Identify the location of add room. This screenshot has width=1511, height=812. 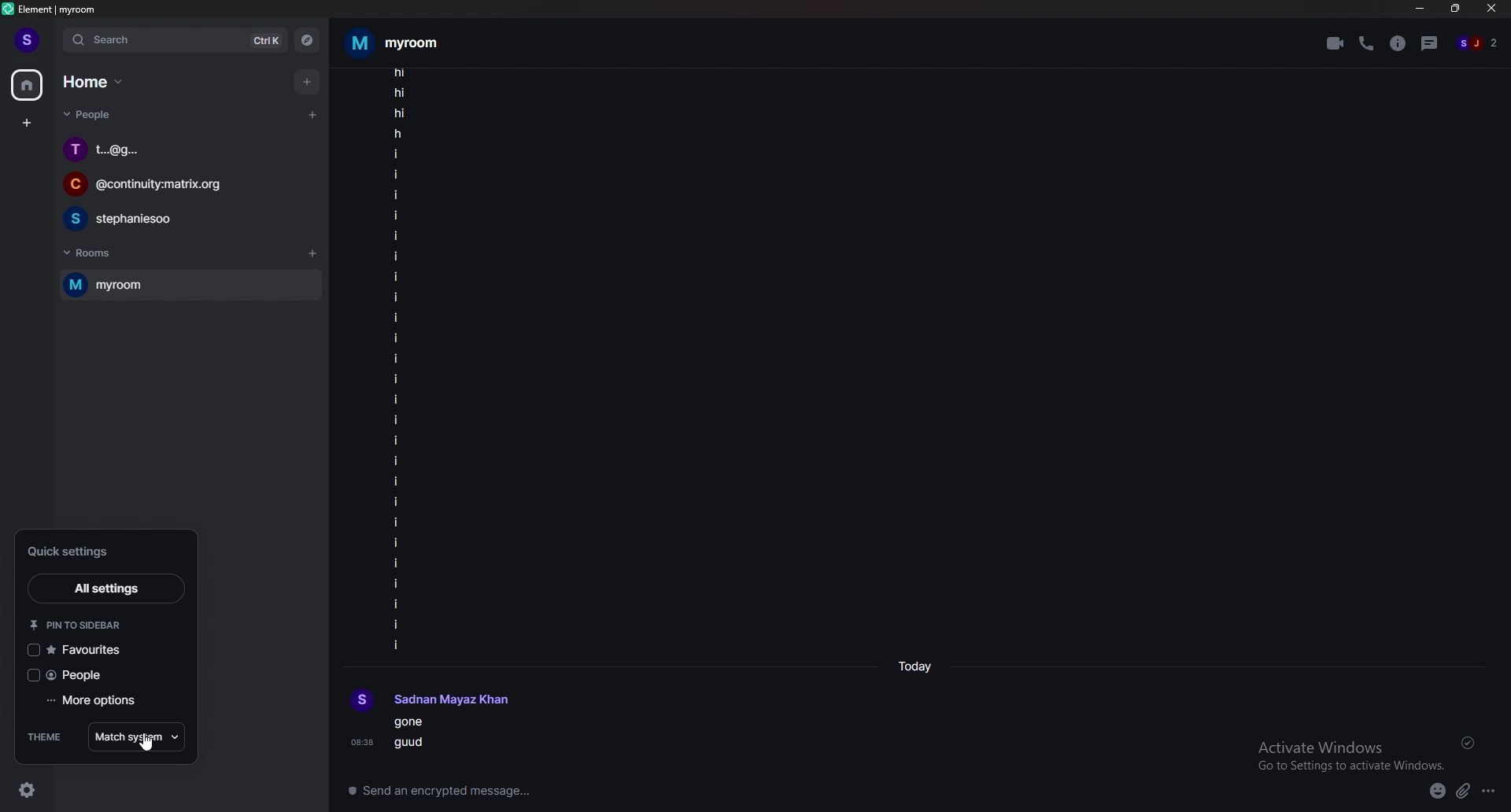
(312, 253).